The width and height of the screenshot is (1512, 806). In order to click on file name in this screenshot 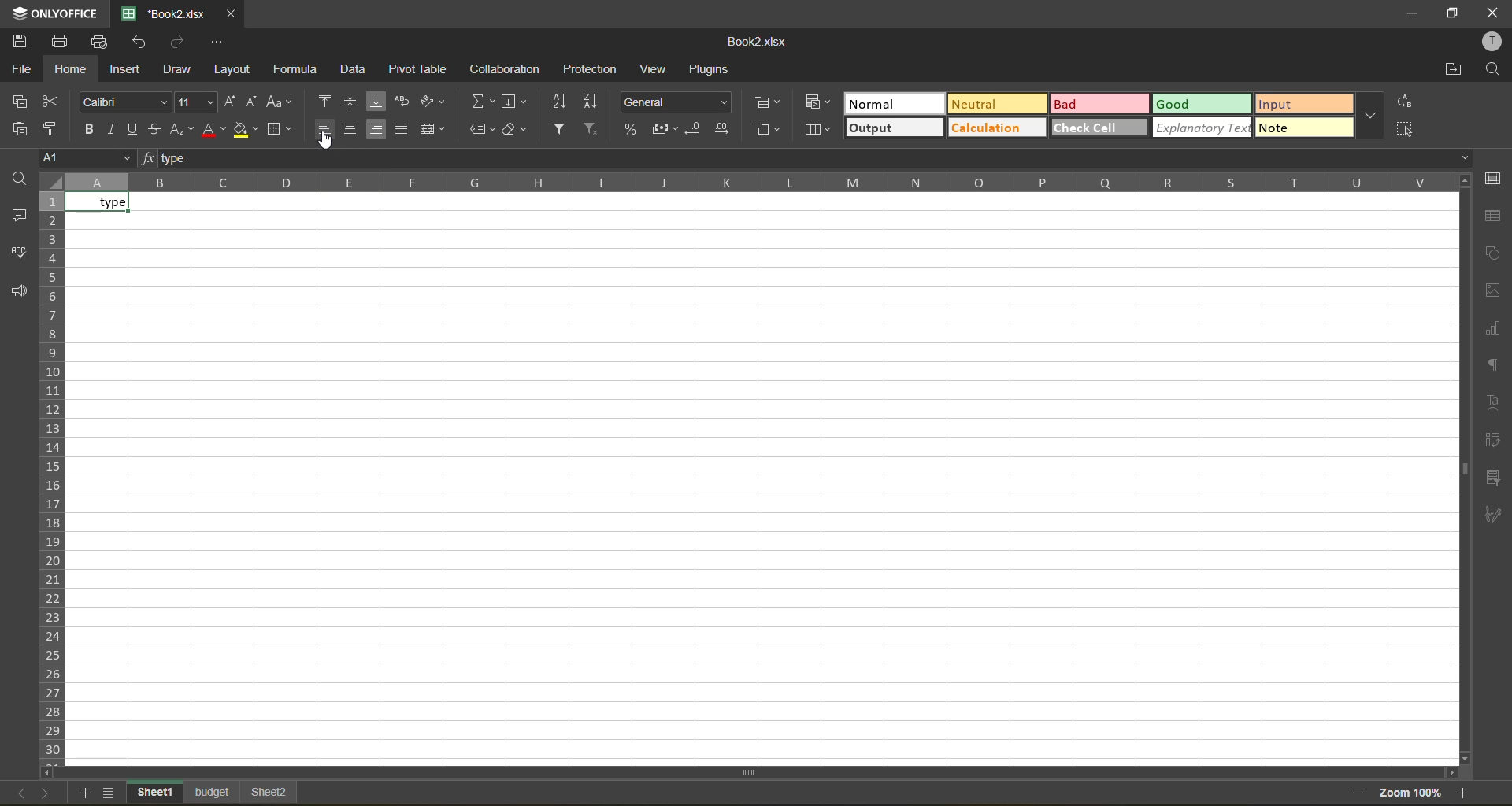, I will do `click(756, 42)`.